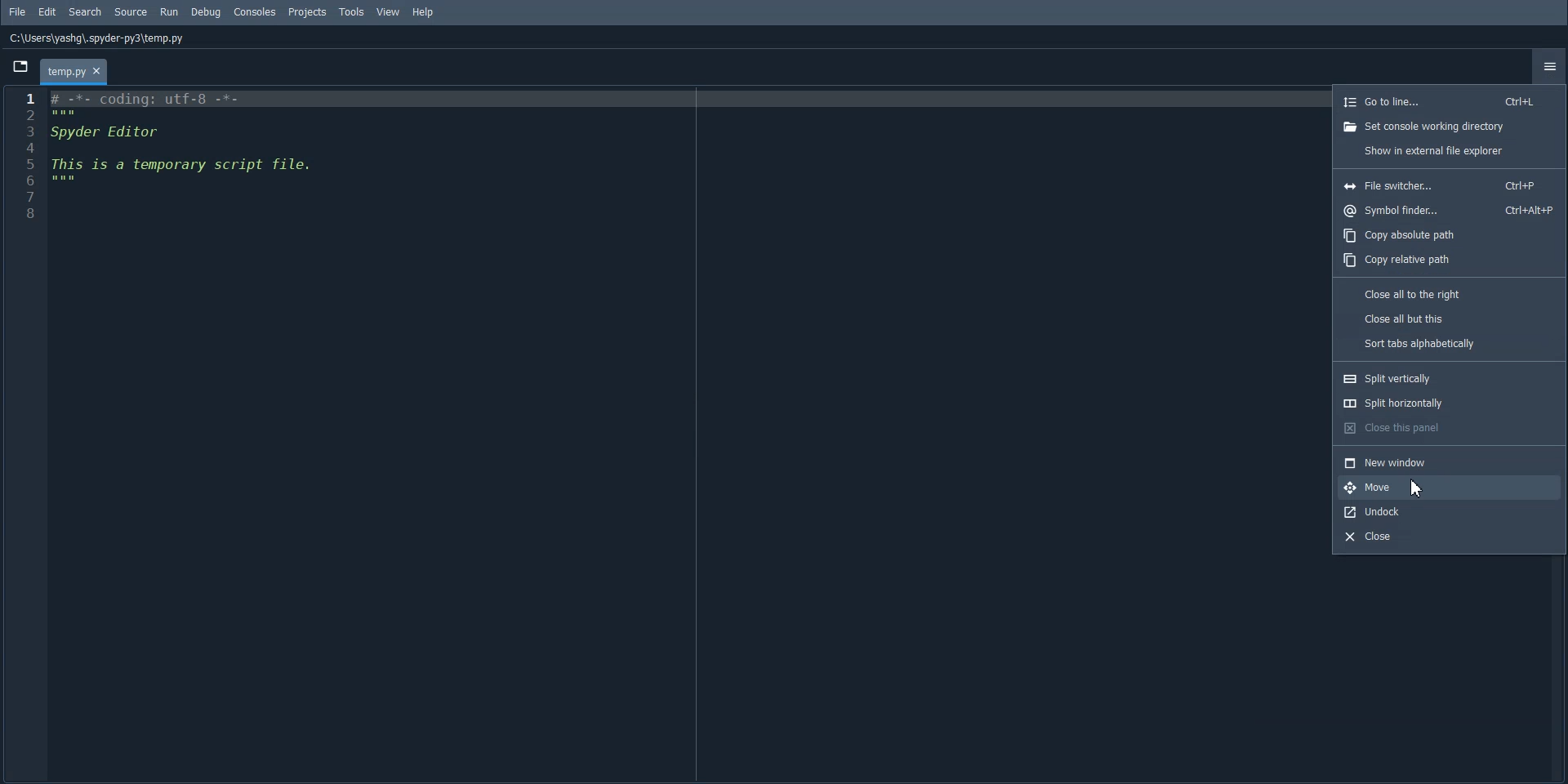 This screenshot has height=784, width=1568. Describe the element at coordinates (85, 11) in the screenshot. I see `Search` at that location.